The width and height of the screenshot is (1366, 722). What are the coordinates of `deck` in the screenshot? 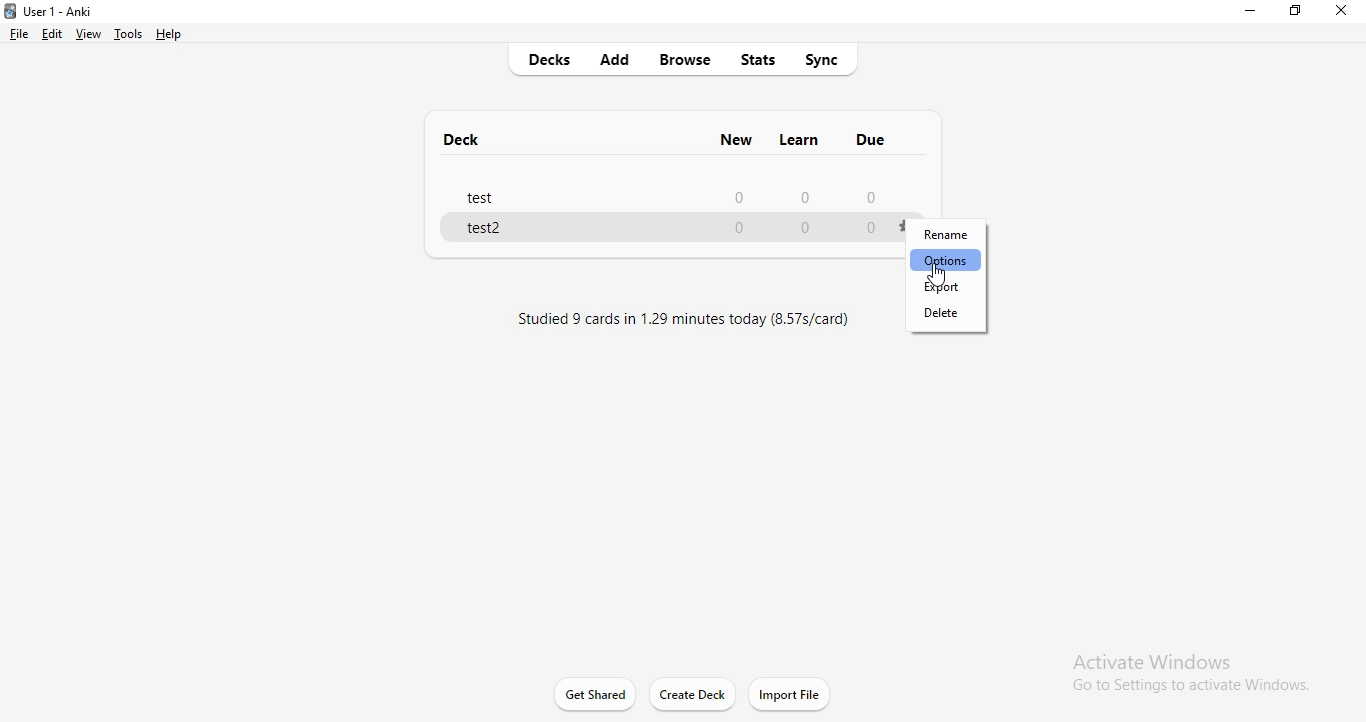 It's located at (463, 135).